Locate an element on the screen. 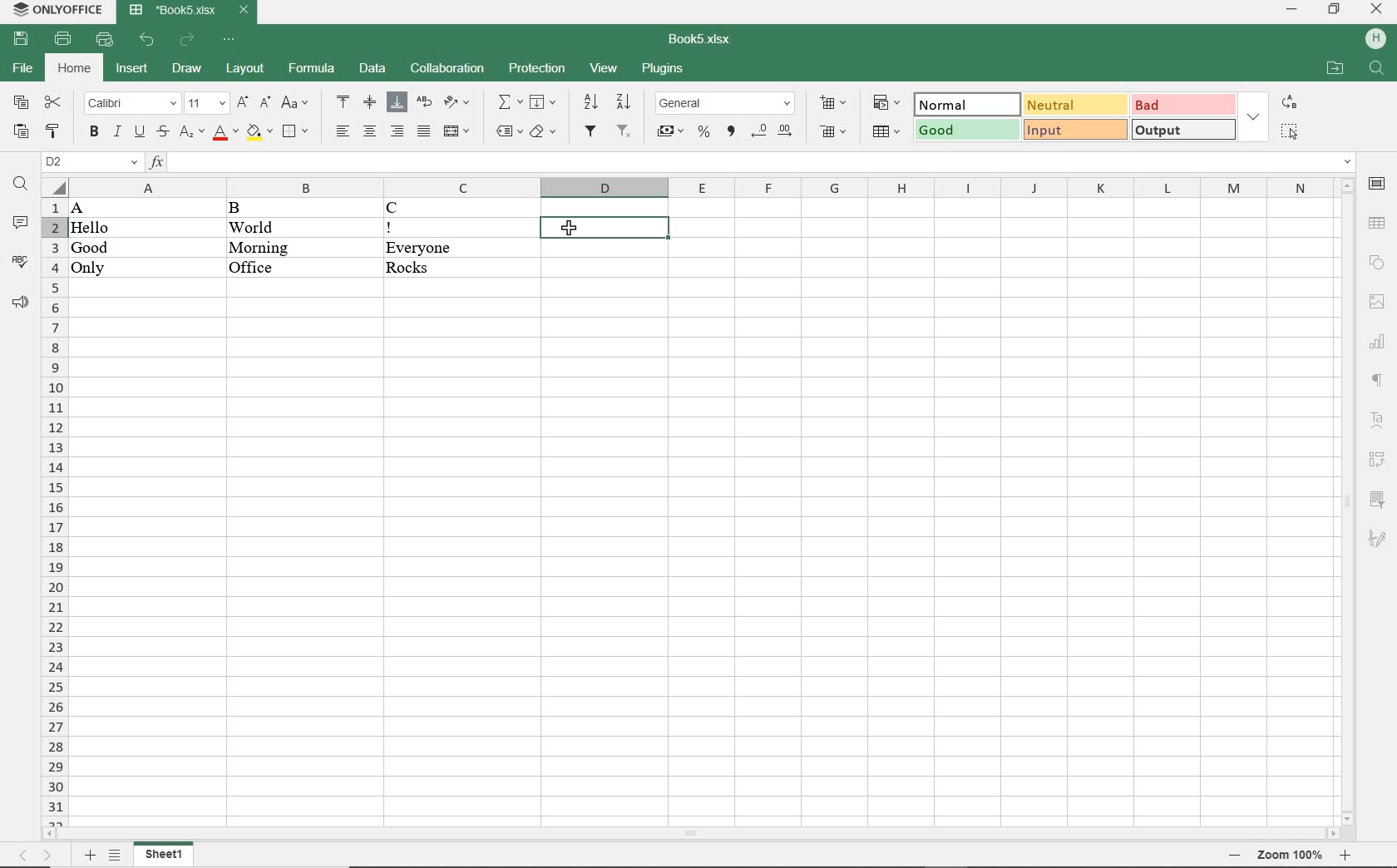 Image resolution: width=1397 pixels, height=868 pixels. GOOD is located at coordinates (964, 129).